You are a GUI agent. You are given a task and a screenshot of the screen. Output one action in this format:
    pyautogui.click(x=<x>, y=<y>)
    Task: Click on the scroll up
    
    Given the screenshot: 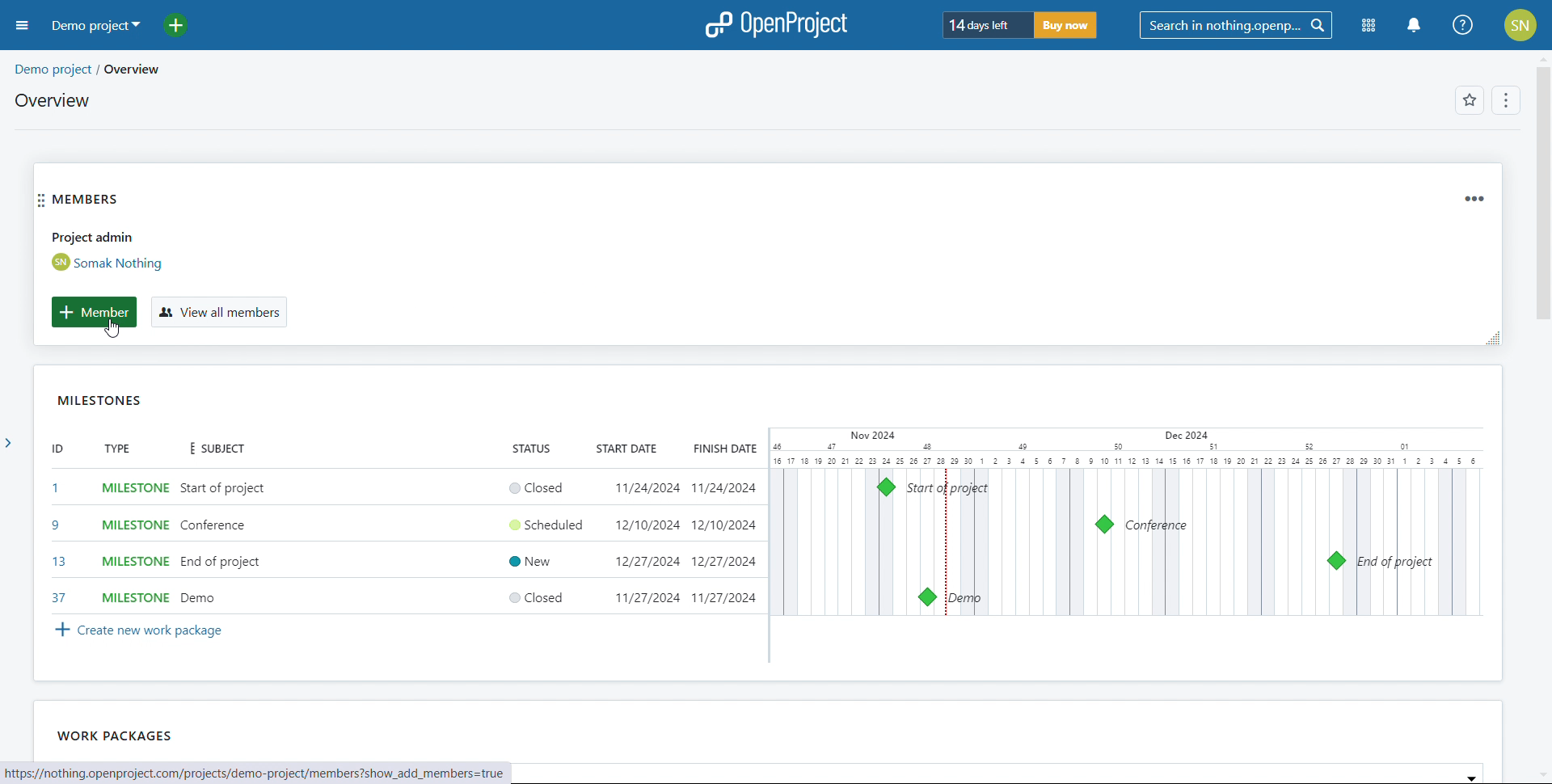 What is the action you would take?
    pyautogui.click(x=1542, y=57)
    